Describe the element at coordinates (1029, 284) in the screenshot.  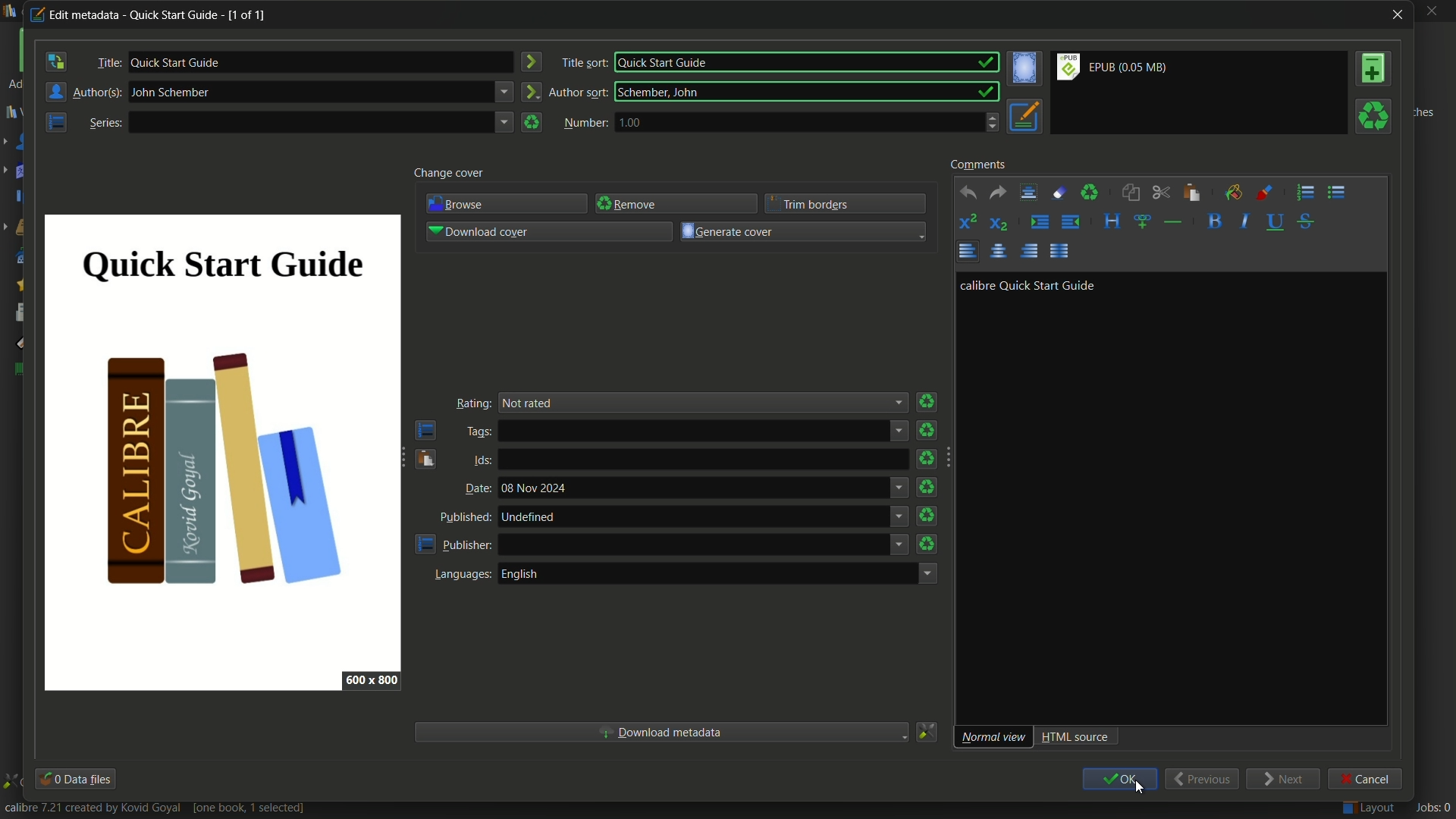
I see `calibre quick start guide` at that location.